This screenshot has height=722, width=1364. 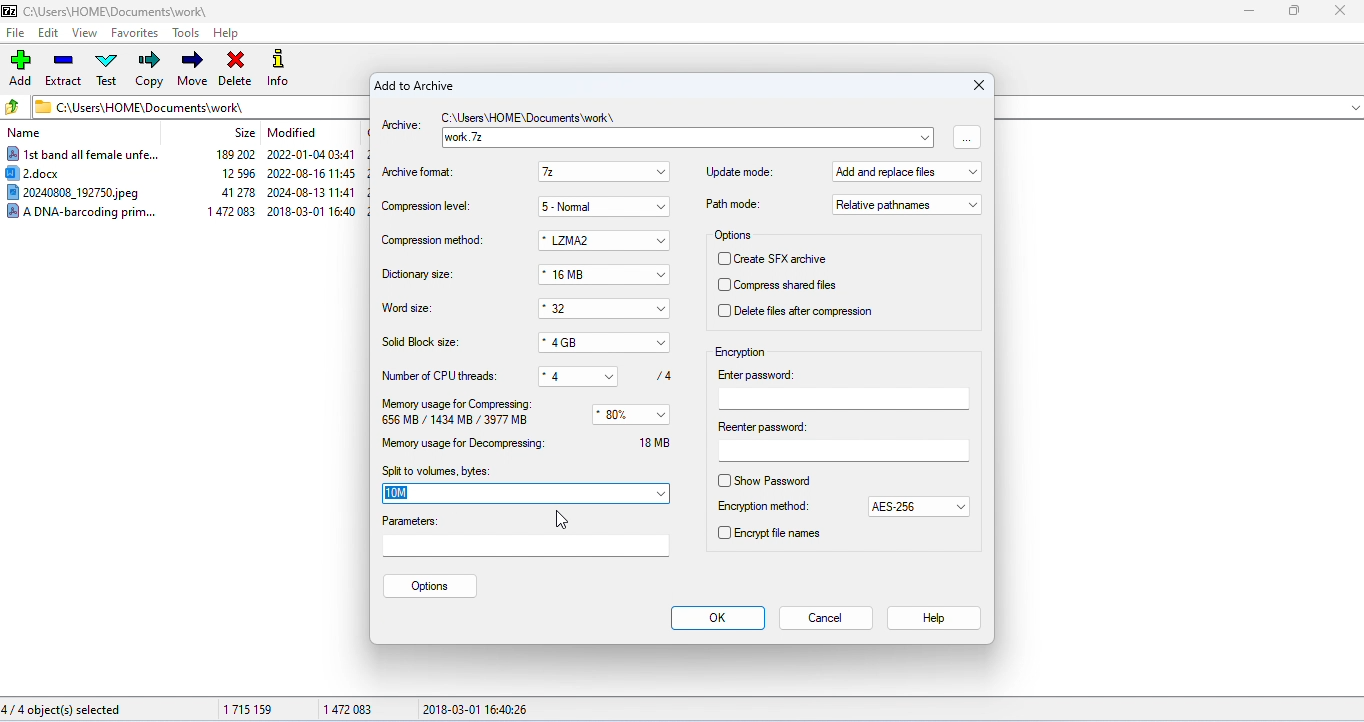 I want to click on , so click(x=663, y=276).